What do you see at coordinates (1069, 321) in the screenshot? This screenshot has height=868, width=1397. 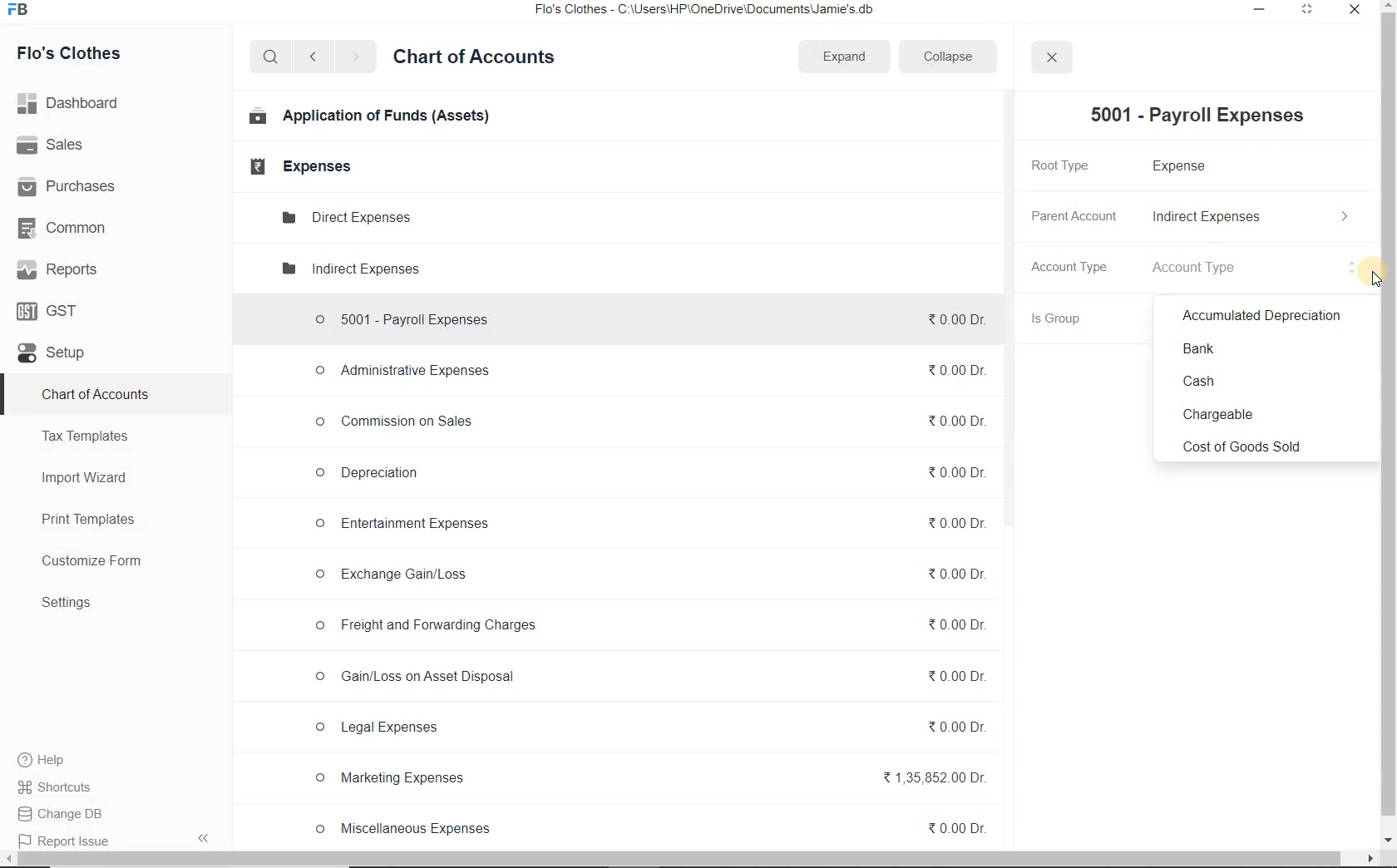 I see `Is Group` at bounding box center [1069, 321].